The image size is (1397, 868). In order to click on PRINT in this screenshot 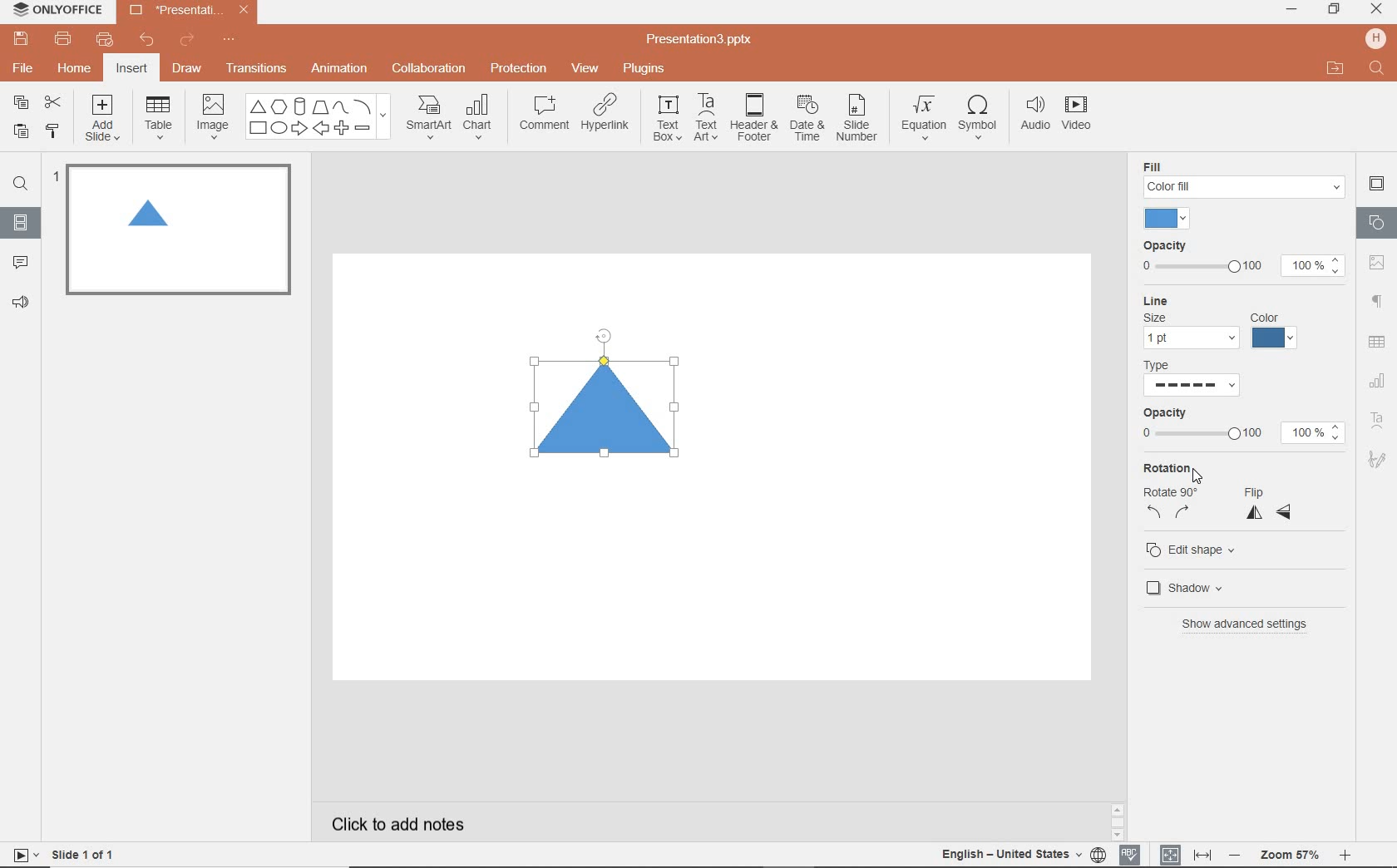, I will do `click(62, 40)`.